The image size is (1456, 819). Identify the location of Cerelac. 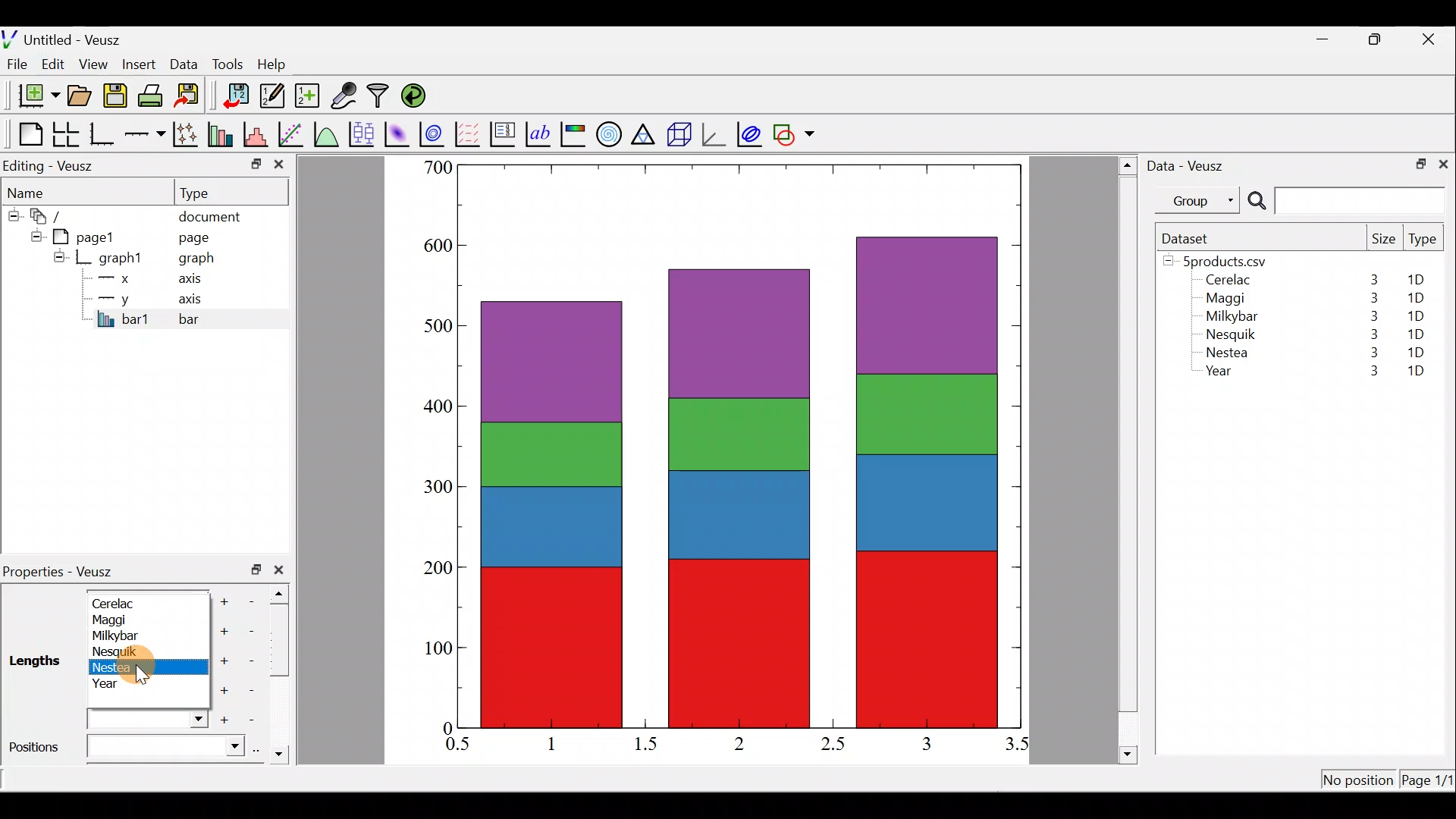
(1225, 281).